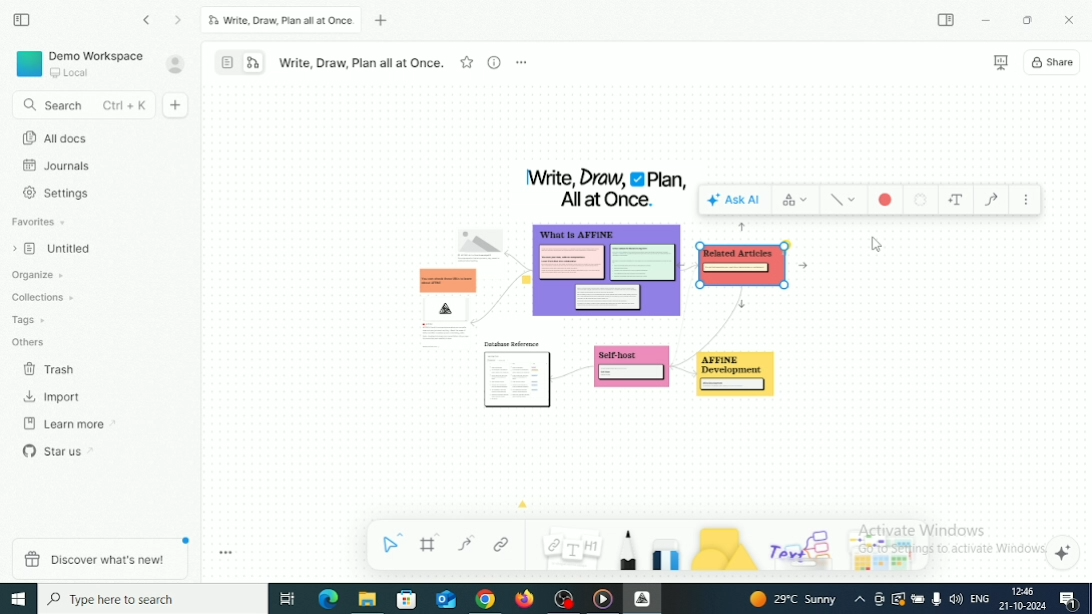 The height and width of the screenshot is (614, 1092). I want to click on Others, so click(30, 341).